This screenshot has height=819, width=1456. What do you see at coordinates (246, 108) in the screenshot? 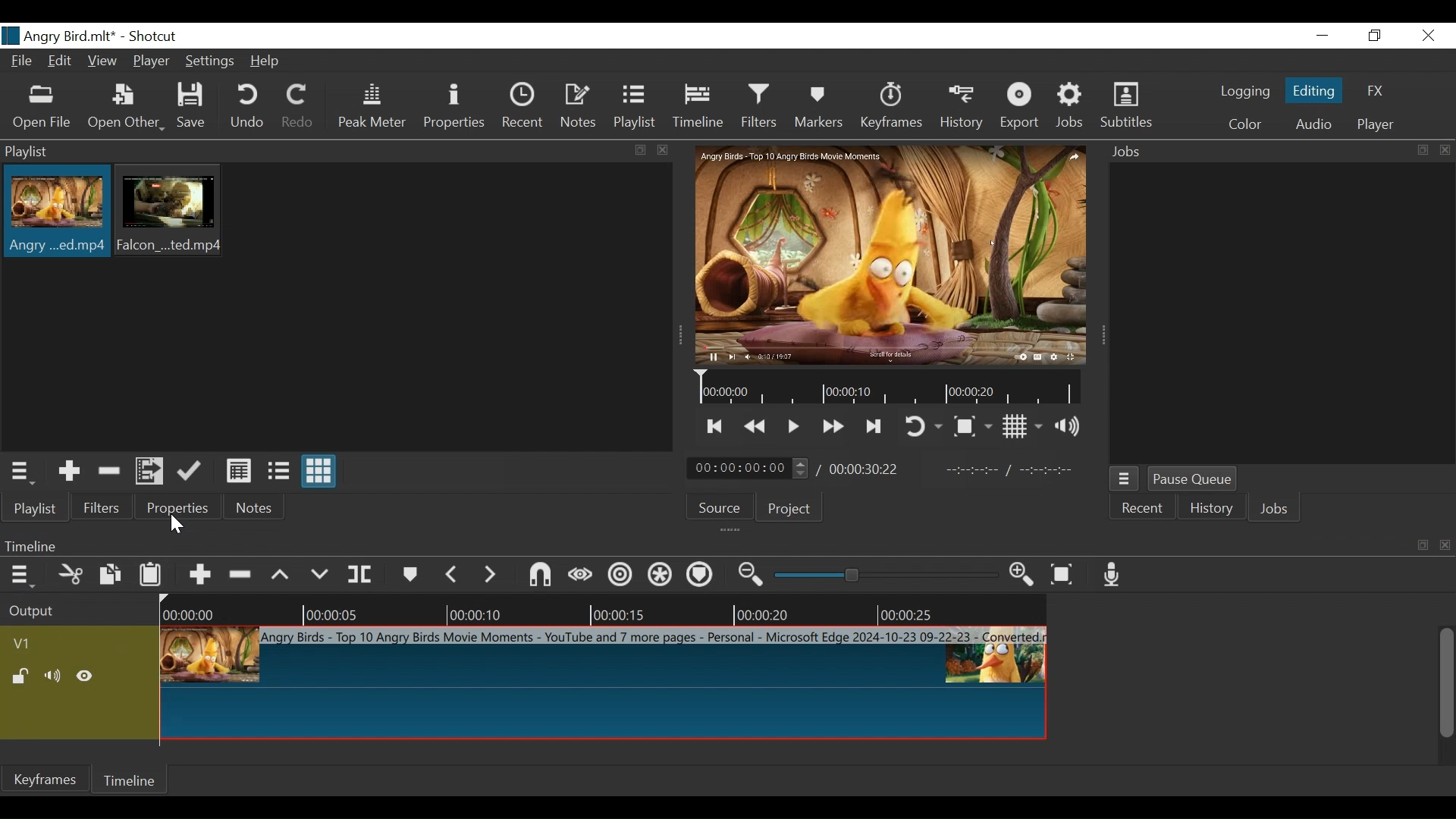
I see `Undo` at bounding box center [246, 108].